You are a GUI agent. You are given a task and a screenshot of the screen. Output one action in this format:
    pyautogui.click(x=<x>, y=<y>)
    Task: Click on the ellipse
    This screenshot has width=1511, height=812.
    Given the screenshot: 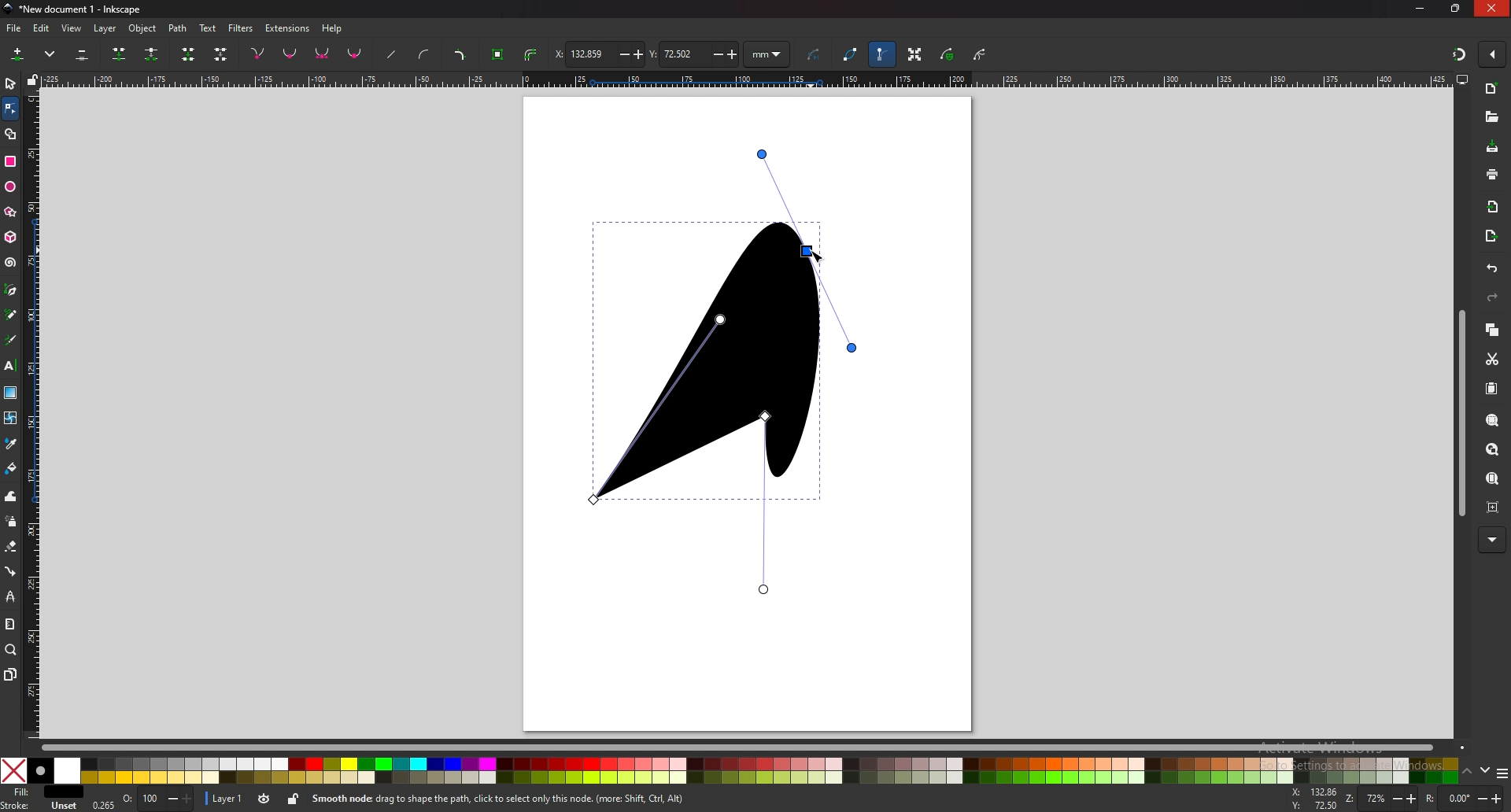 What is the action you would take?
    pyautogui.click(x=11, y=185)
    